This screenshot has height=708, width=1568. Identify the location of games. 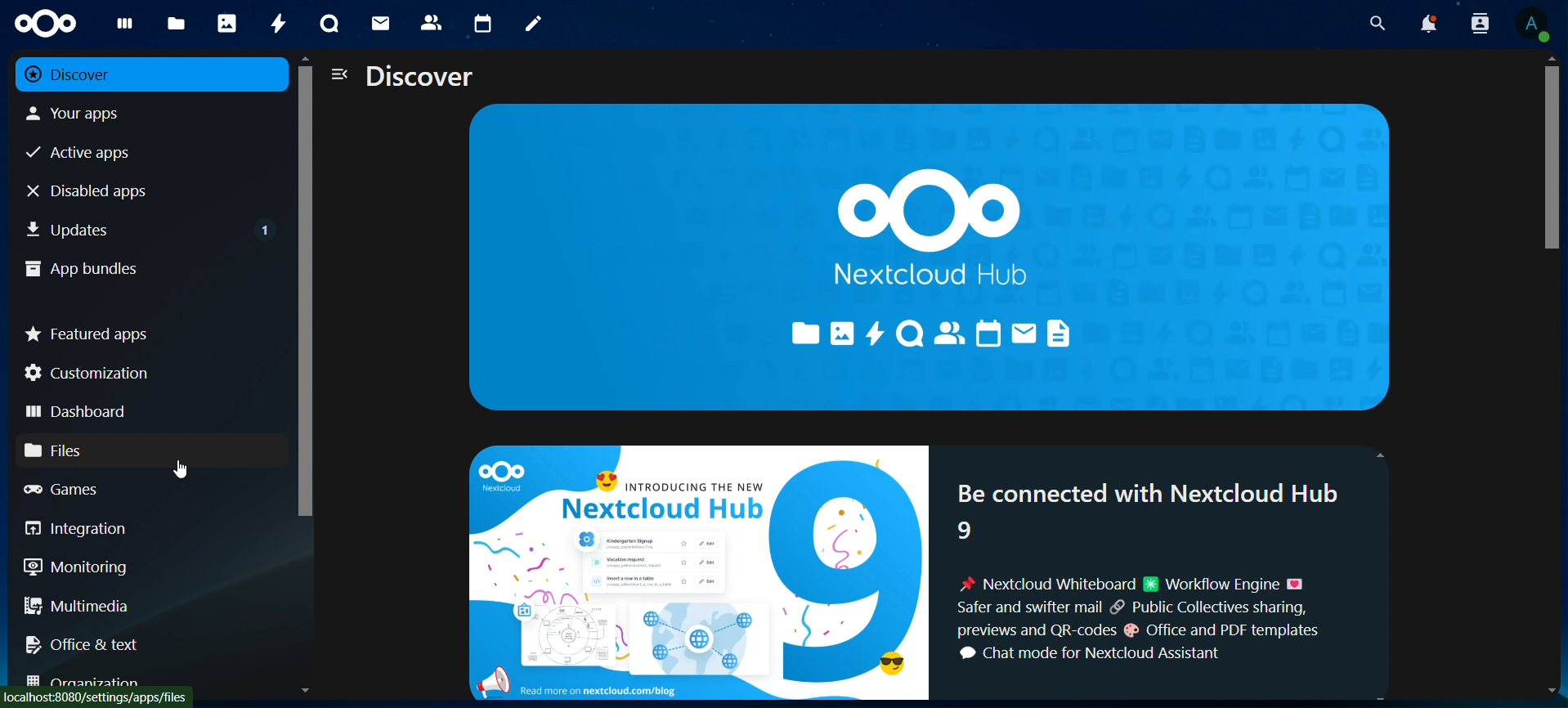
(77, 489).